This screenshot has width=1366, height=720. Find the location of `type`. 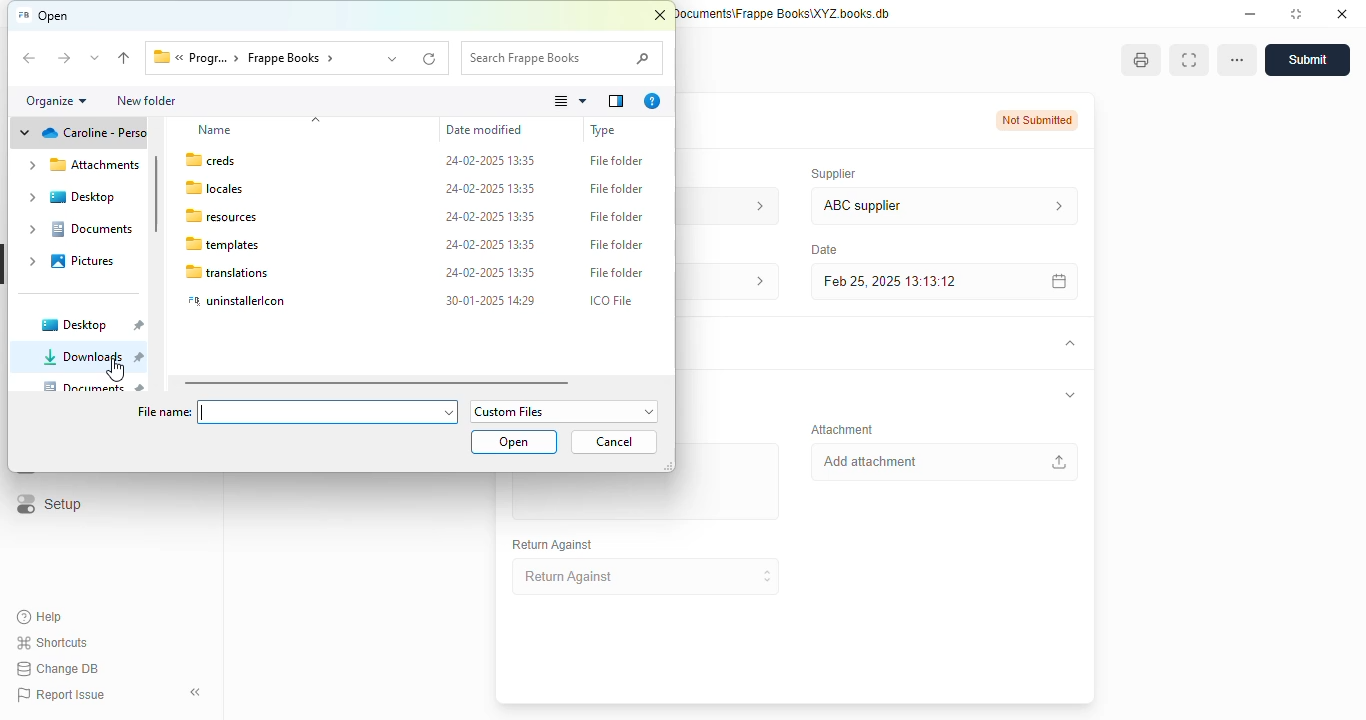

type is located at coordinates (603, 130).